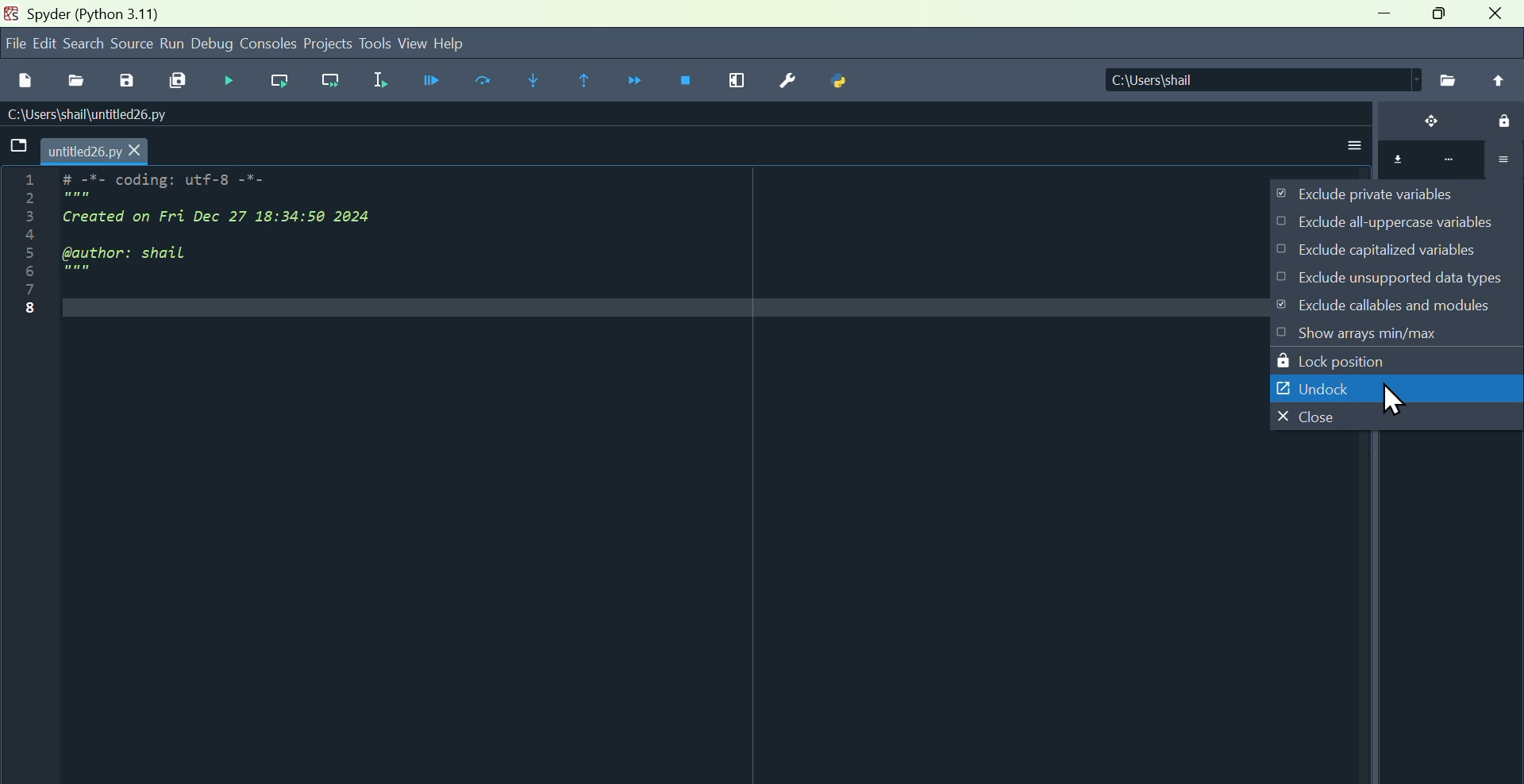 The image size is (1524, 784). I want to click on file, so click(13, 43).